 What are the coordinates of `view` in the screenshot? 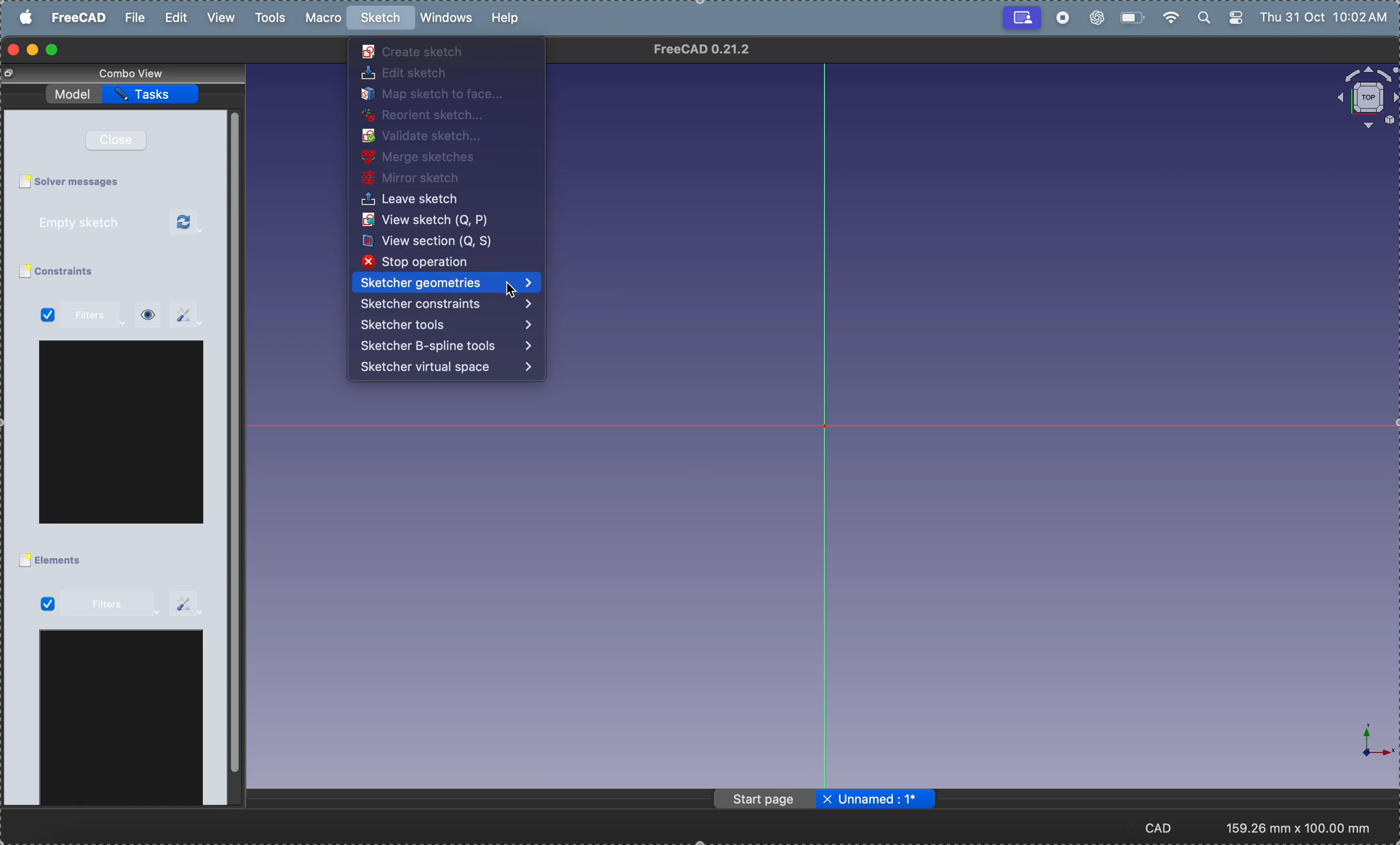 It's located at (219, 18).